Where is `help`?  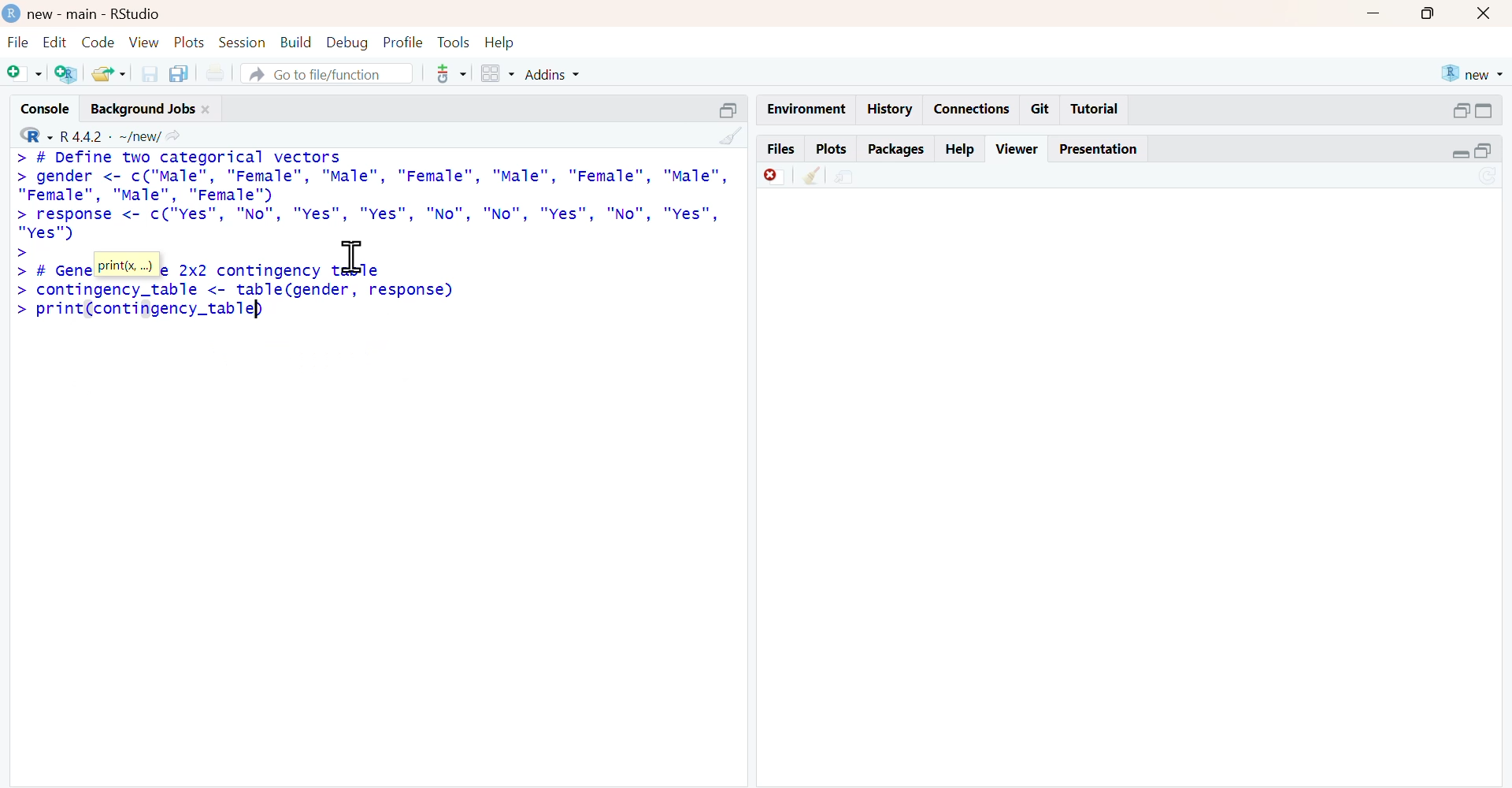 help is located at coordinates (961, 151).